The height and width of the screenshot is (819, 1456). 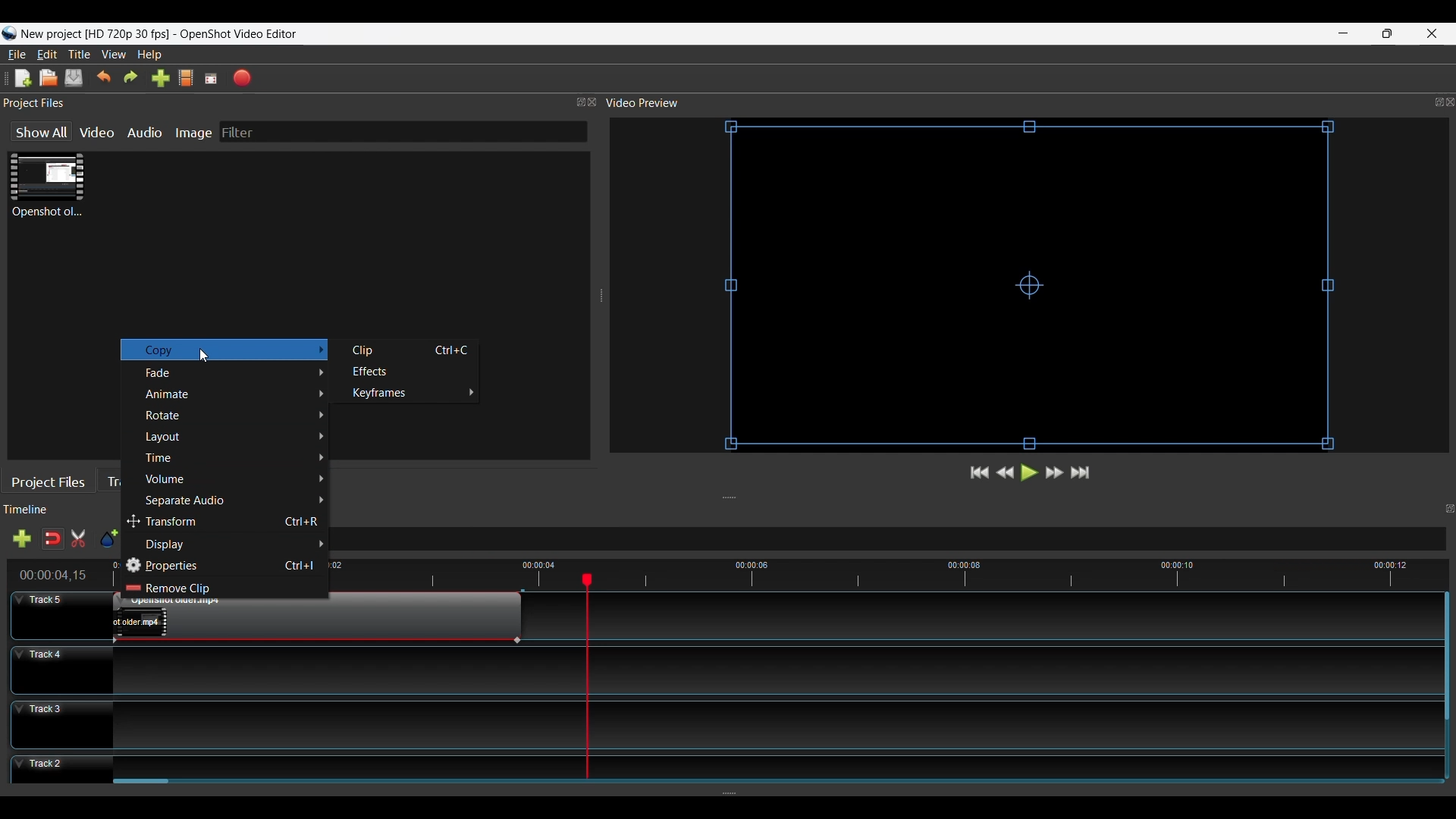 What do you see at coordinates (19, 540) in the screenshot?
I see `Add track` at bounding box center [19, 540].